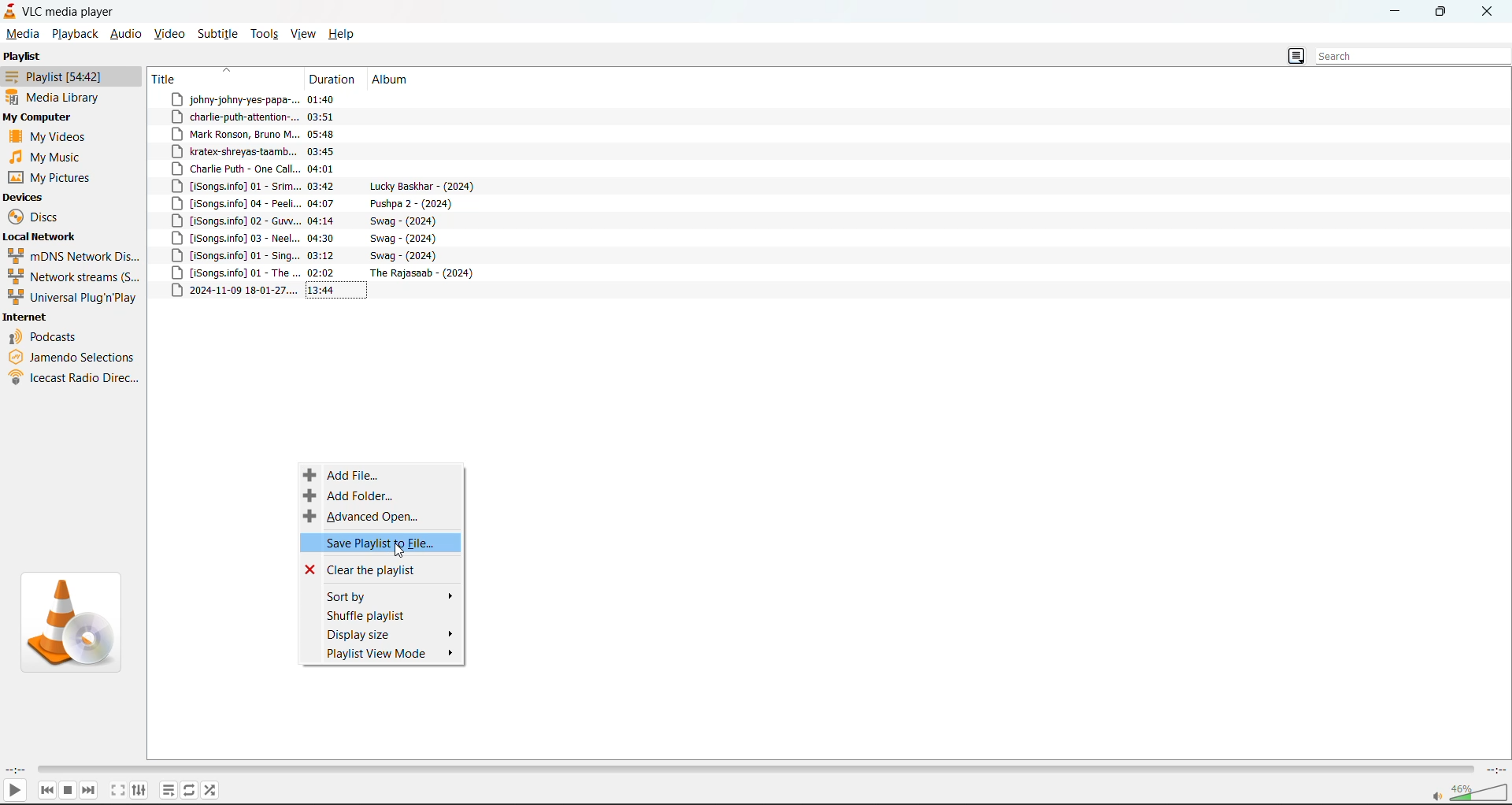 The width and height of the screenshot is (1512, 805). Describe the element at coordinates (377, 517) in the screenshot. I see `advanced open` at that location.